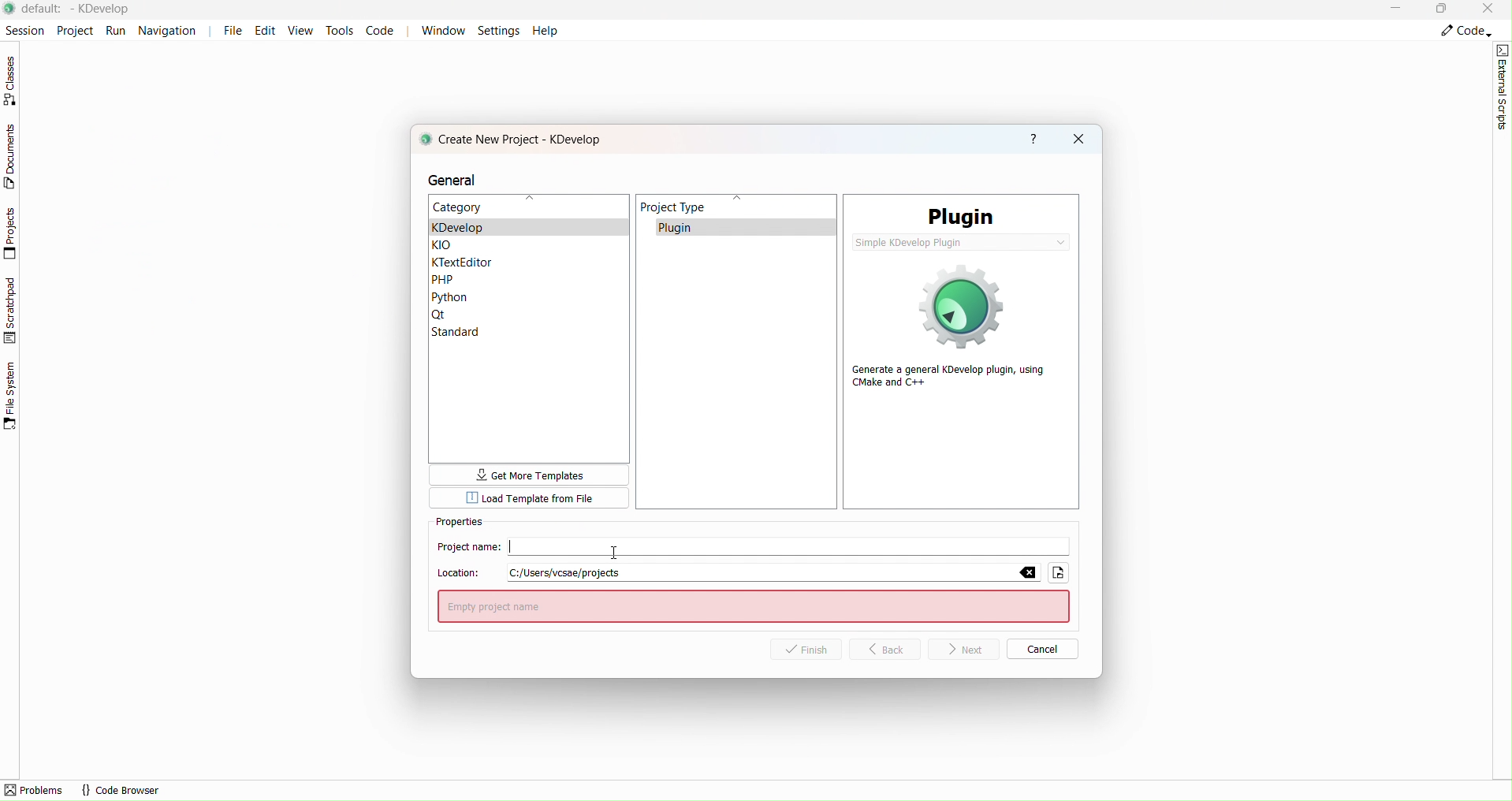  Describe the element at coordinates (964, 650) in the screenshot. I see `Next` at that location.